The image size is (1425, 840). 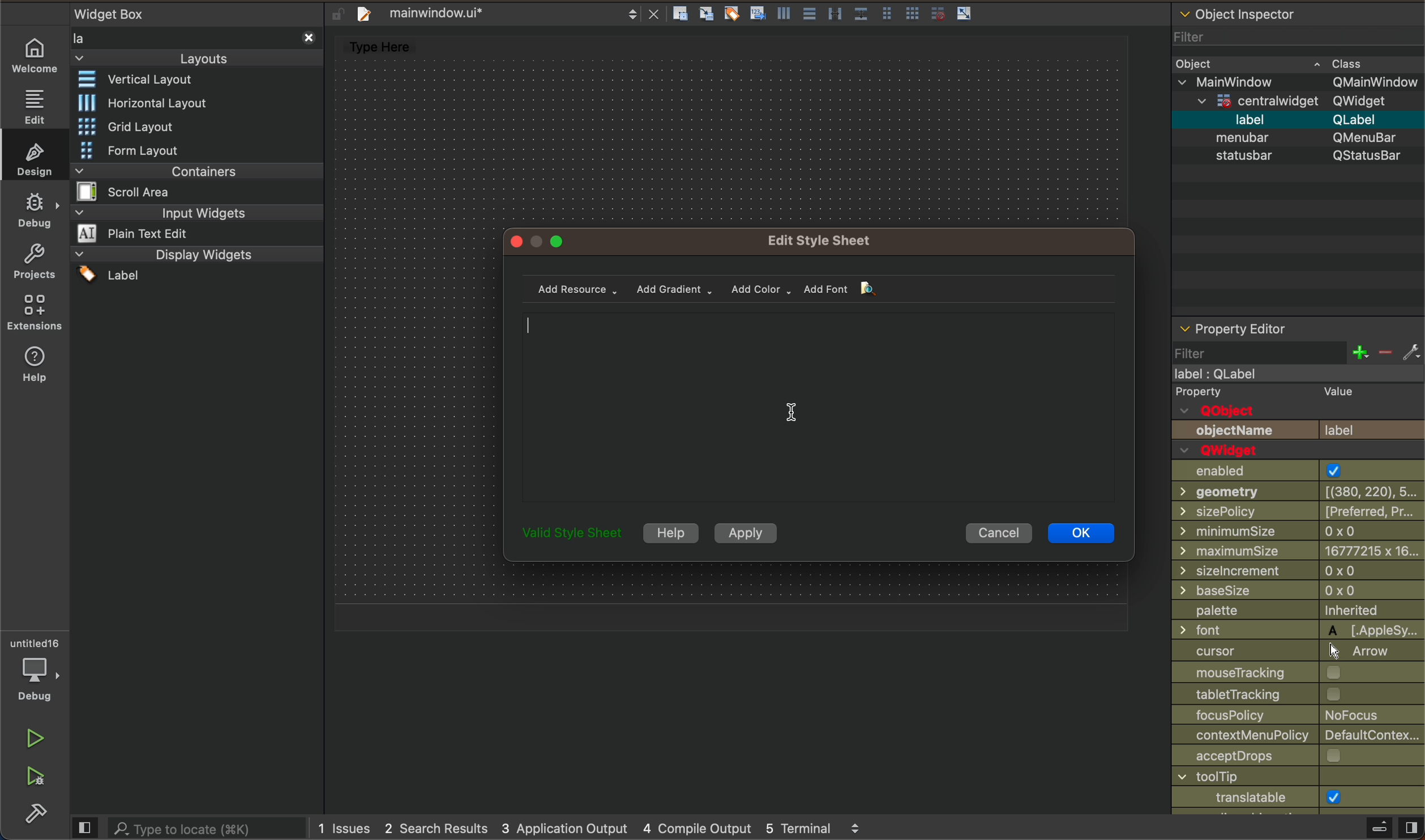 What do you see at coordinates (1266, 325) in the screenshot?
I see `property editor` at bounding box center [1266, 325].